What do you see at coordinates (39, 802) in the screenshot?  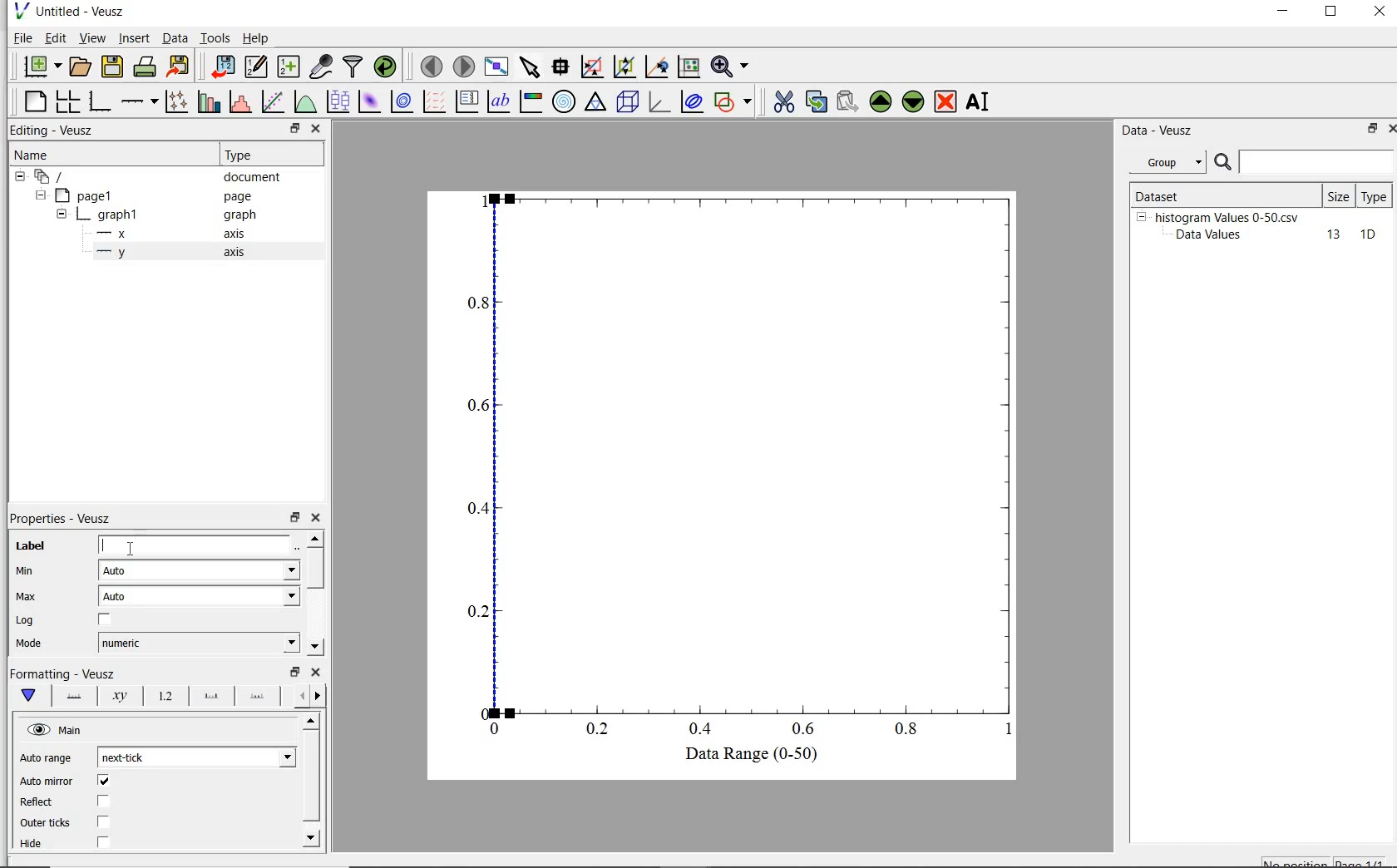 I see ` Reflect` at bounding box center [39, 802].